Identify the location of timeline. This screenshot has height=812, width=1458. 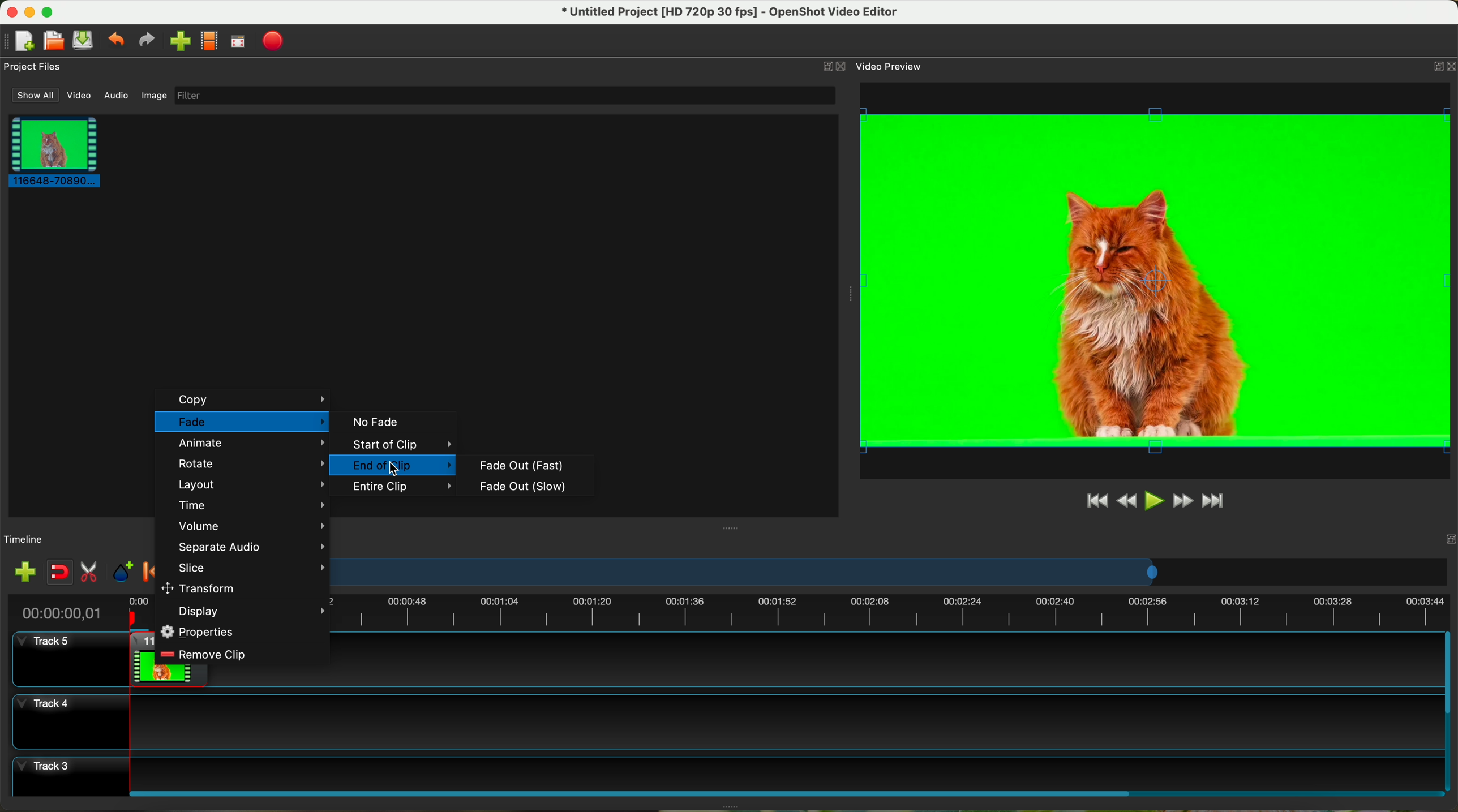
(893, 614).